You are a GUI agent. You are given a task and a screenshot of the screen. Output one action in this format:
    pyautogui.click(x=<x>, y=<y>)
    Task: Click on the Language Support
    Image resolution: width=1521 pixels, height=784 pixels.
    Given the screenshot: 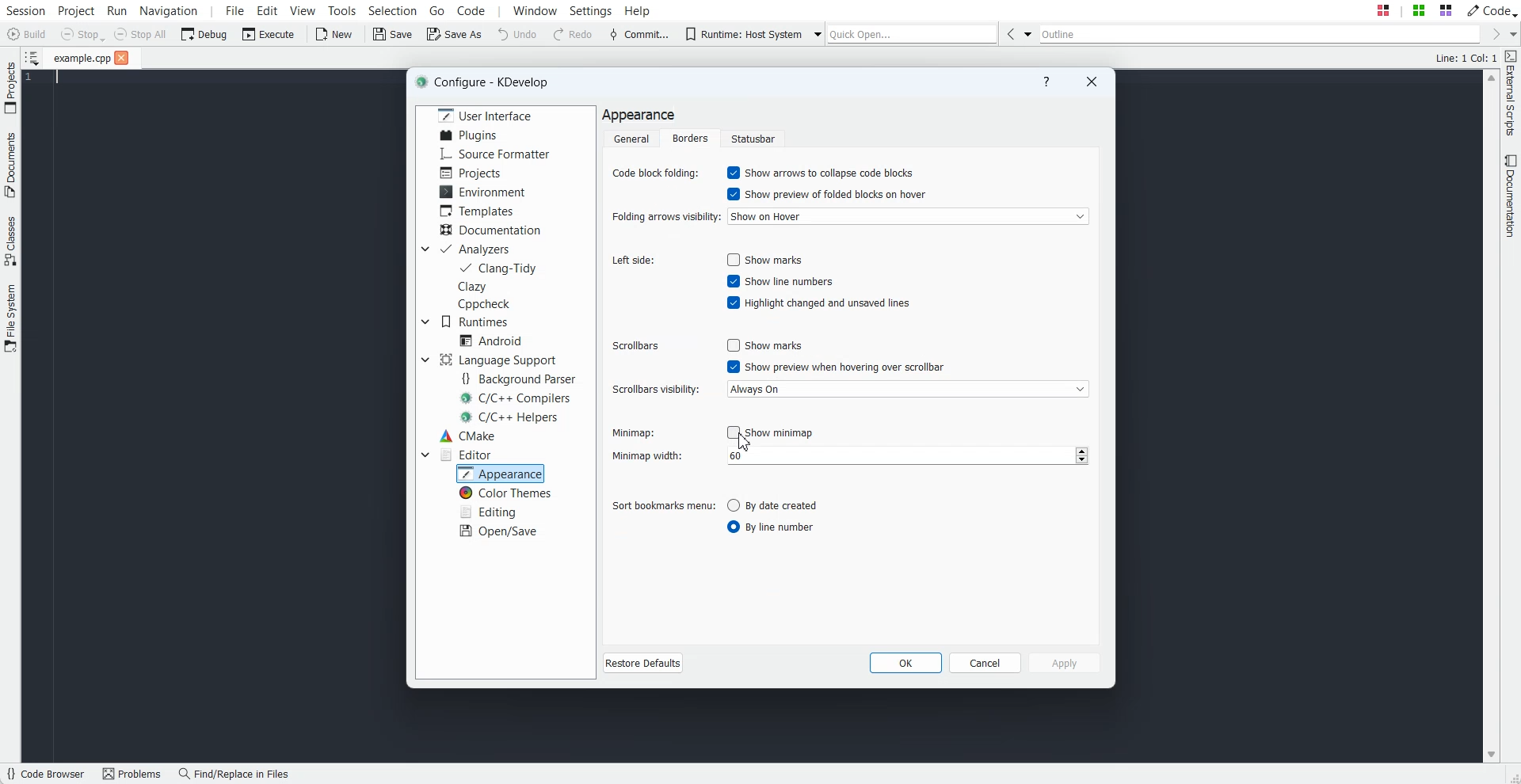 What is the action you would take?
    pyautogui.click(x=497, y=359)
    